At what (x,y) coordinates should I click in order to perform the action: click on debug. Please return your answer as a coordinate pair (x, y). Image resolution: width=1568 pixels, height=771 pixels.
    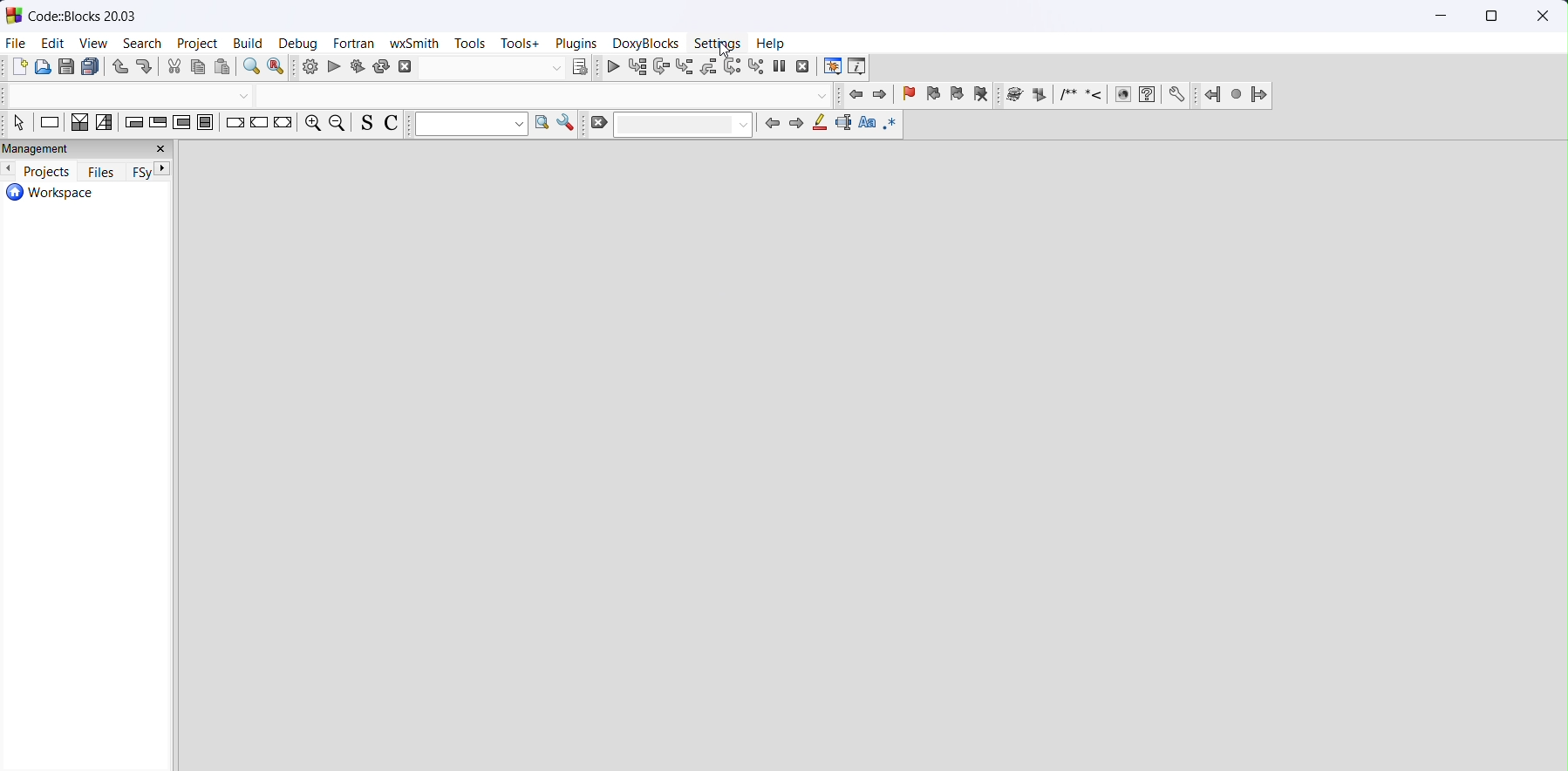
    Looking at the image, I should click on (302, 44).